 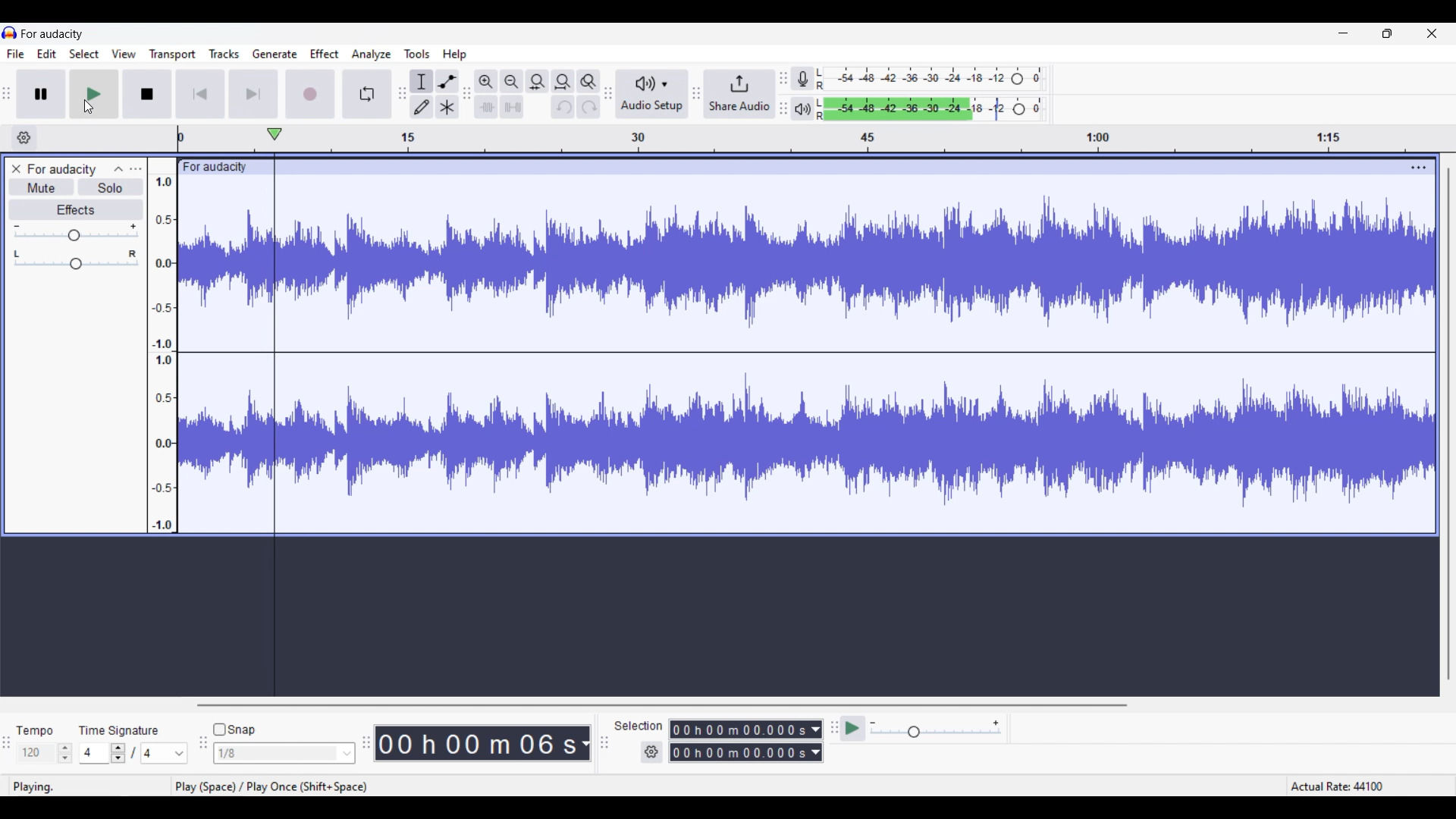 What do you see at coordinates (47, 752) in the screenshot?
I see `Tempo settings` at bounding box center [47, 752].